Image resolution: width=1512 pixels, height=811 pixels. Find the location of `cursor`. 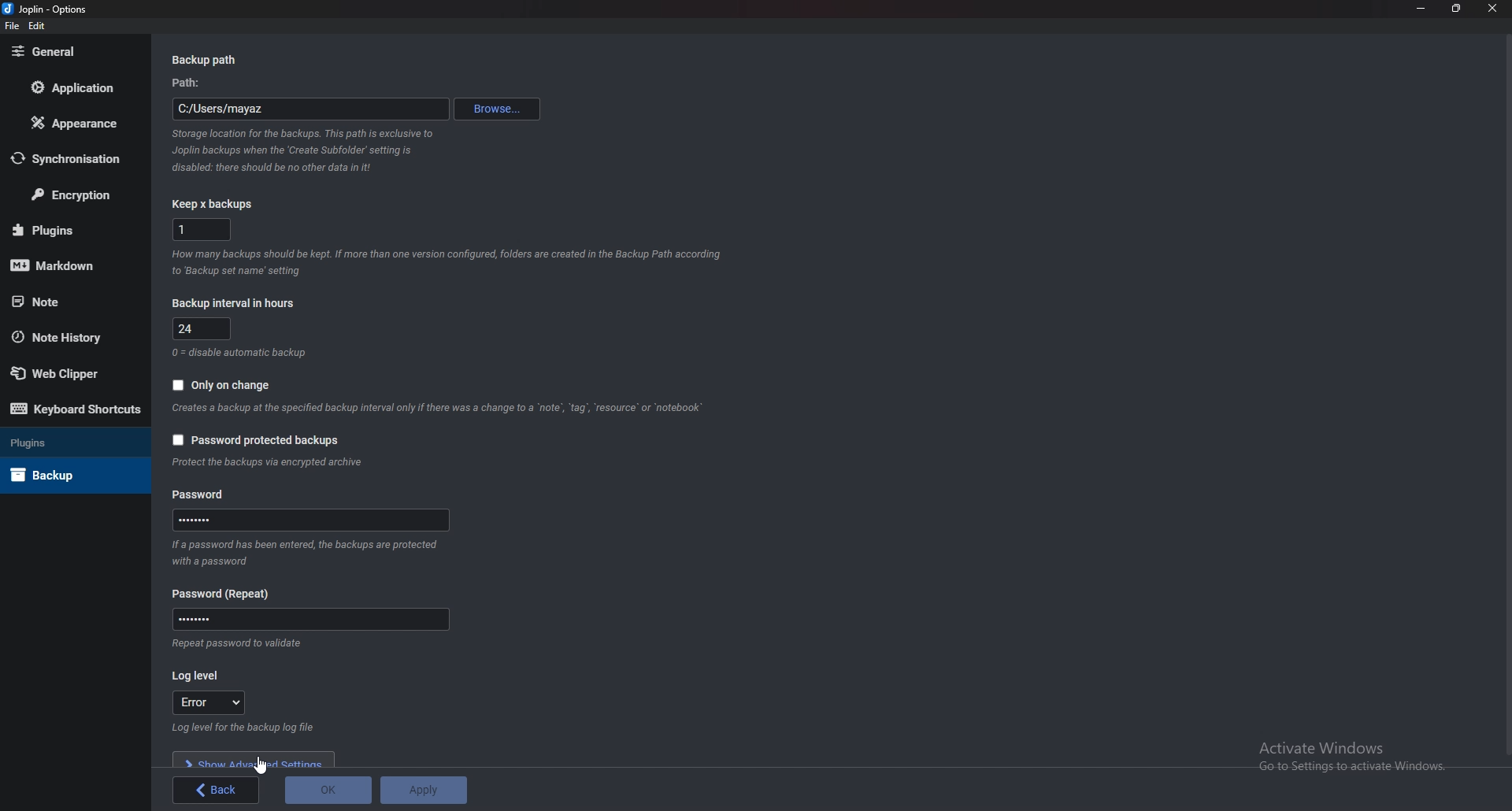

cursor is located at coordinates (262, 765).